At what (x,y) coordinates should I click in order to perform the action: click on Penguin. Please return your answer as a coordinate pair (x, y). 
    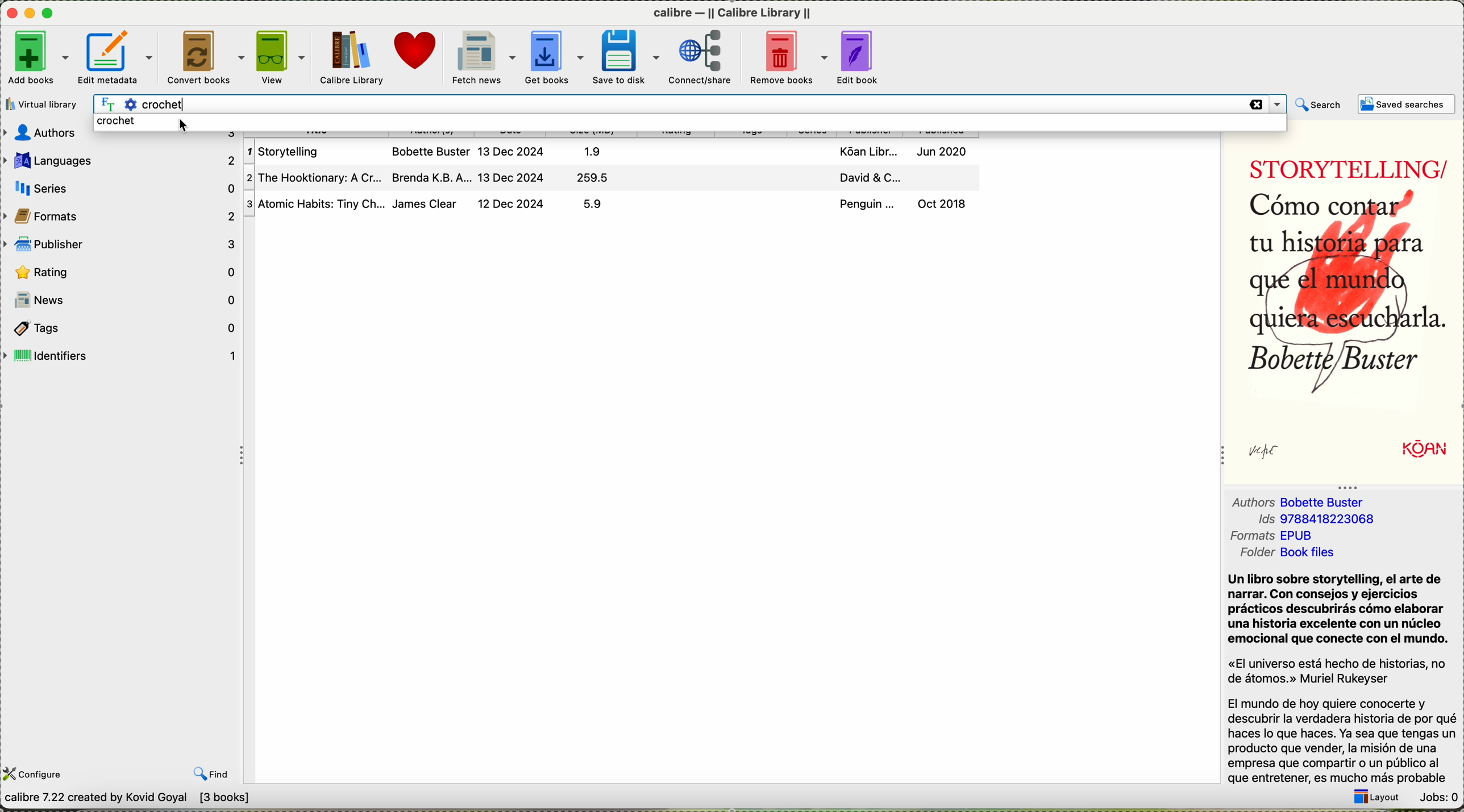
    Looking at the image, I should click on (867, 203).